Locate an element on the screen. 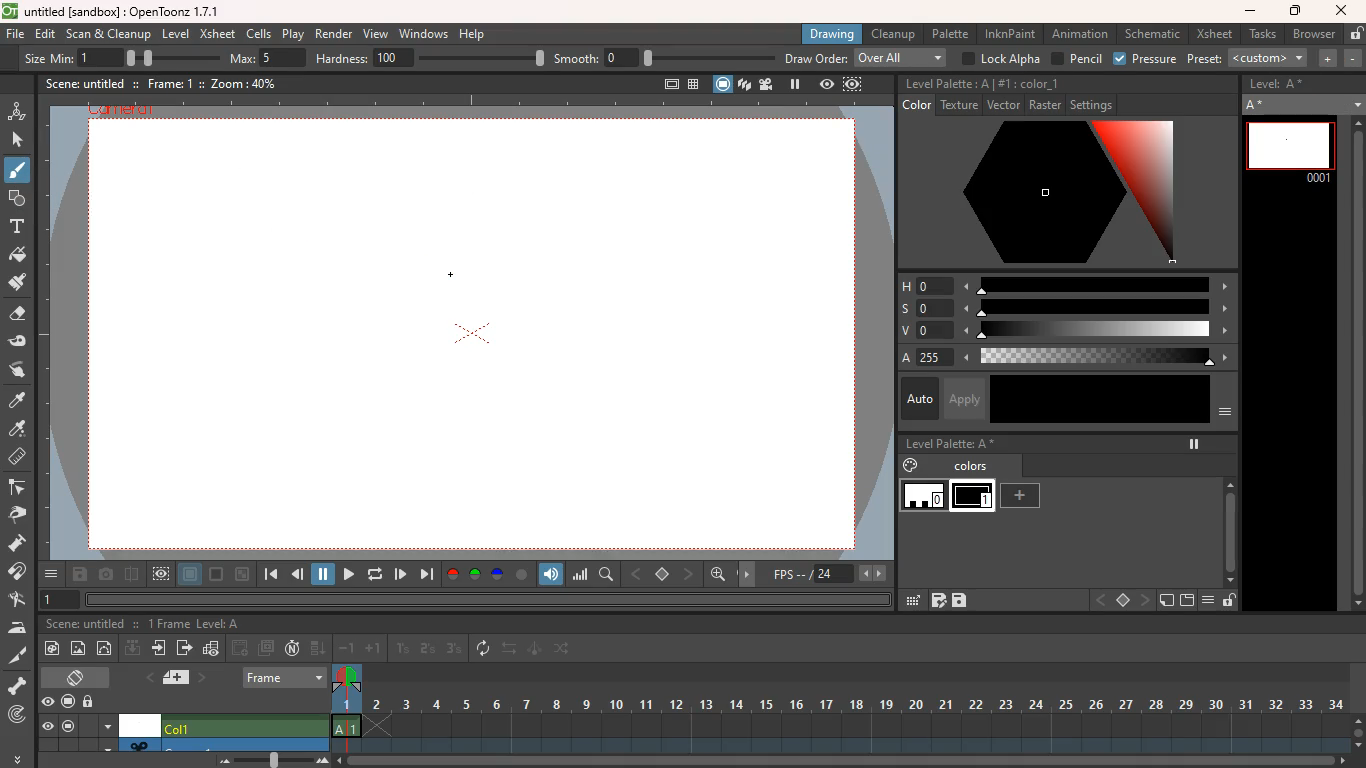  1 Frame Level: A is located at coordinates (195, 625).